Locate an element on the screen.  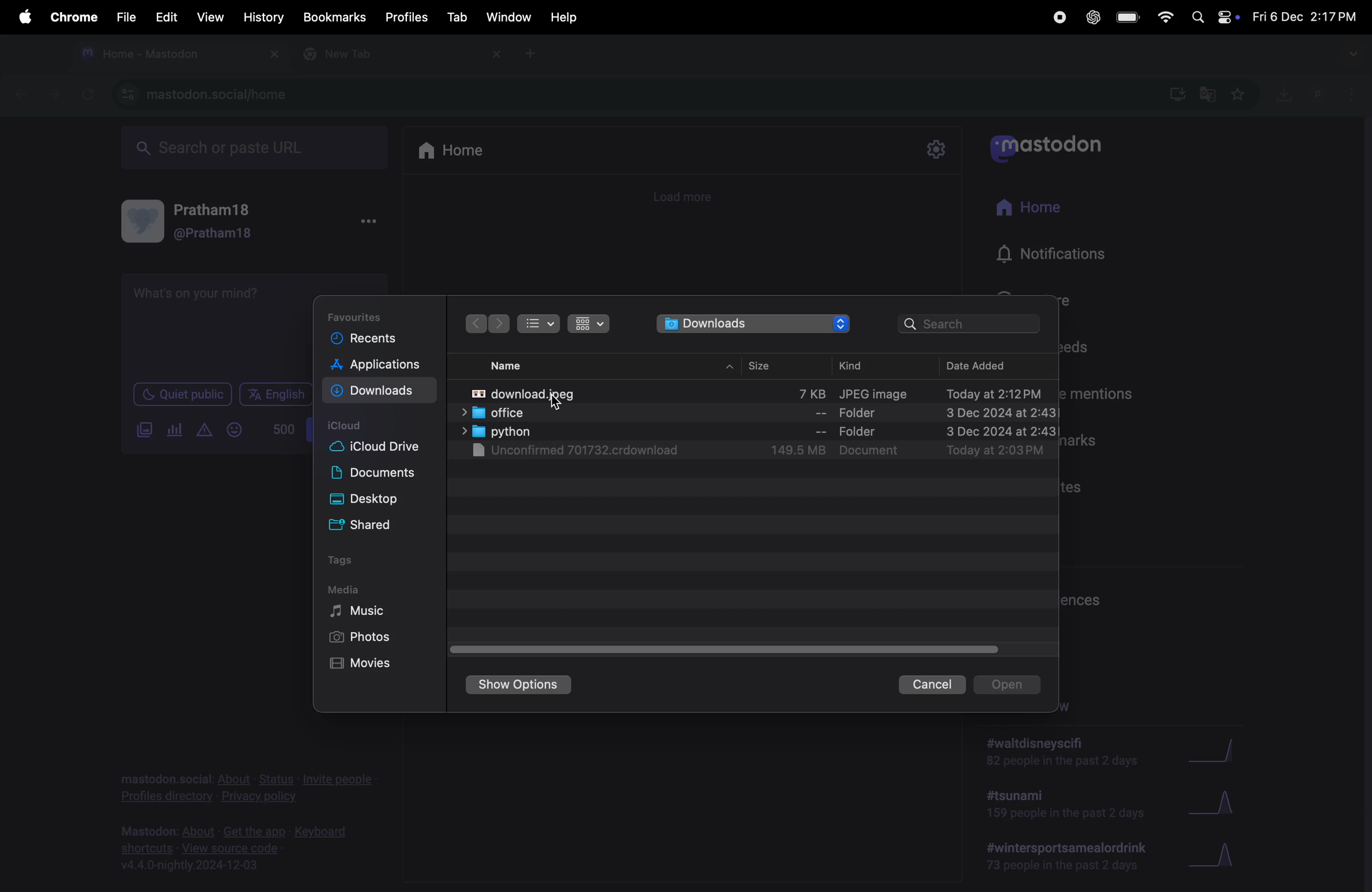
tab is located at coordinates (455, 17).